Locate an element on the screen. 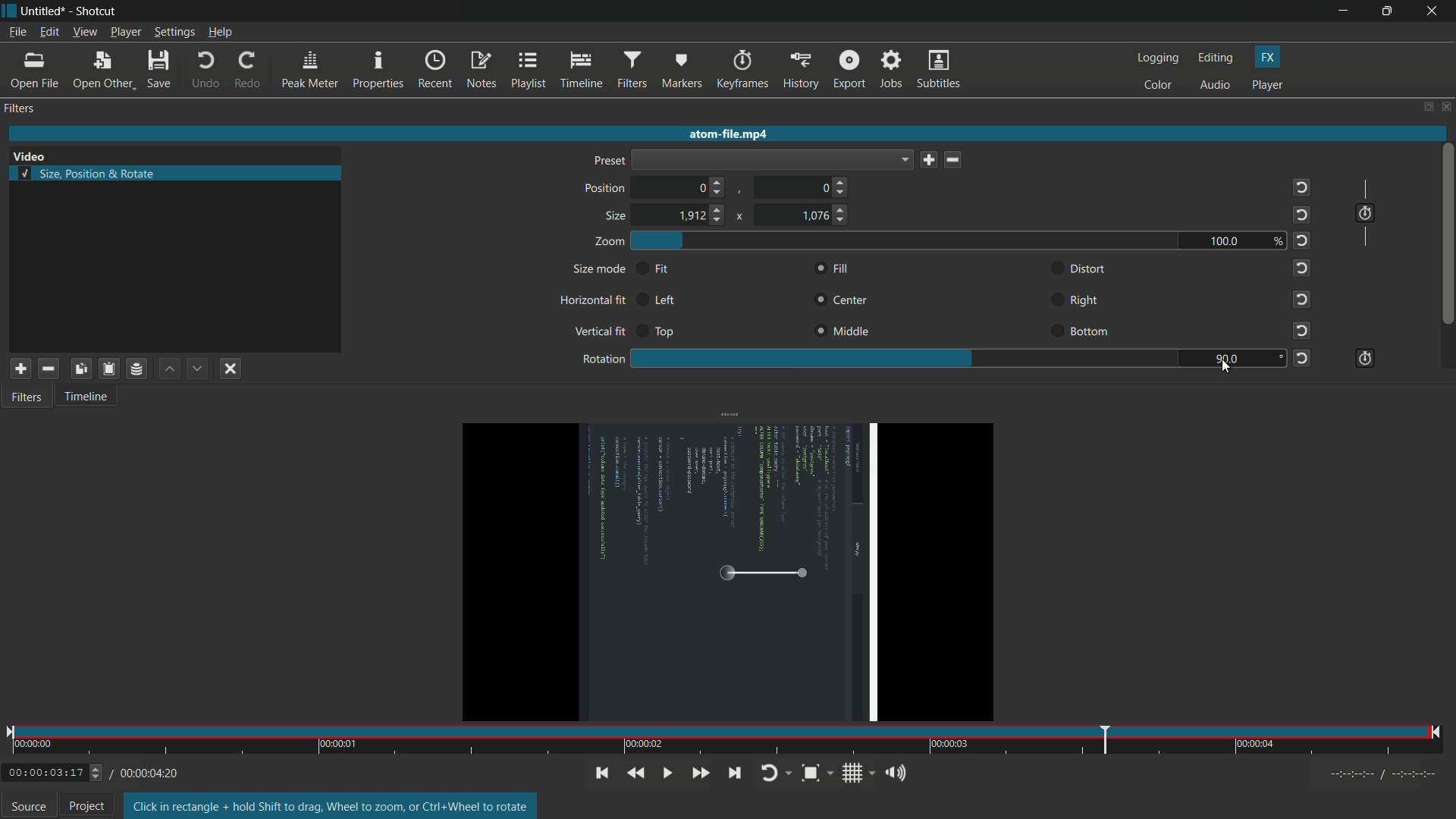 Image resolution: width=1456 pixels, height=819 pixels. reset to default is located at coordinates (1303, 215).